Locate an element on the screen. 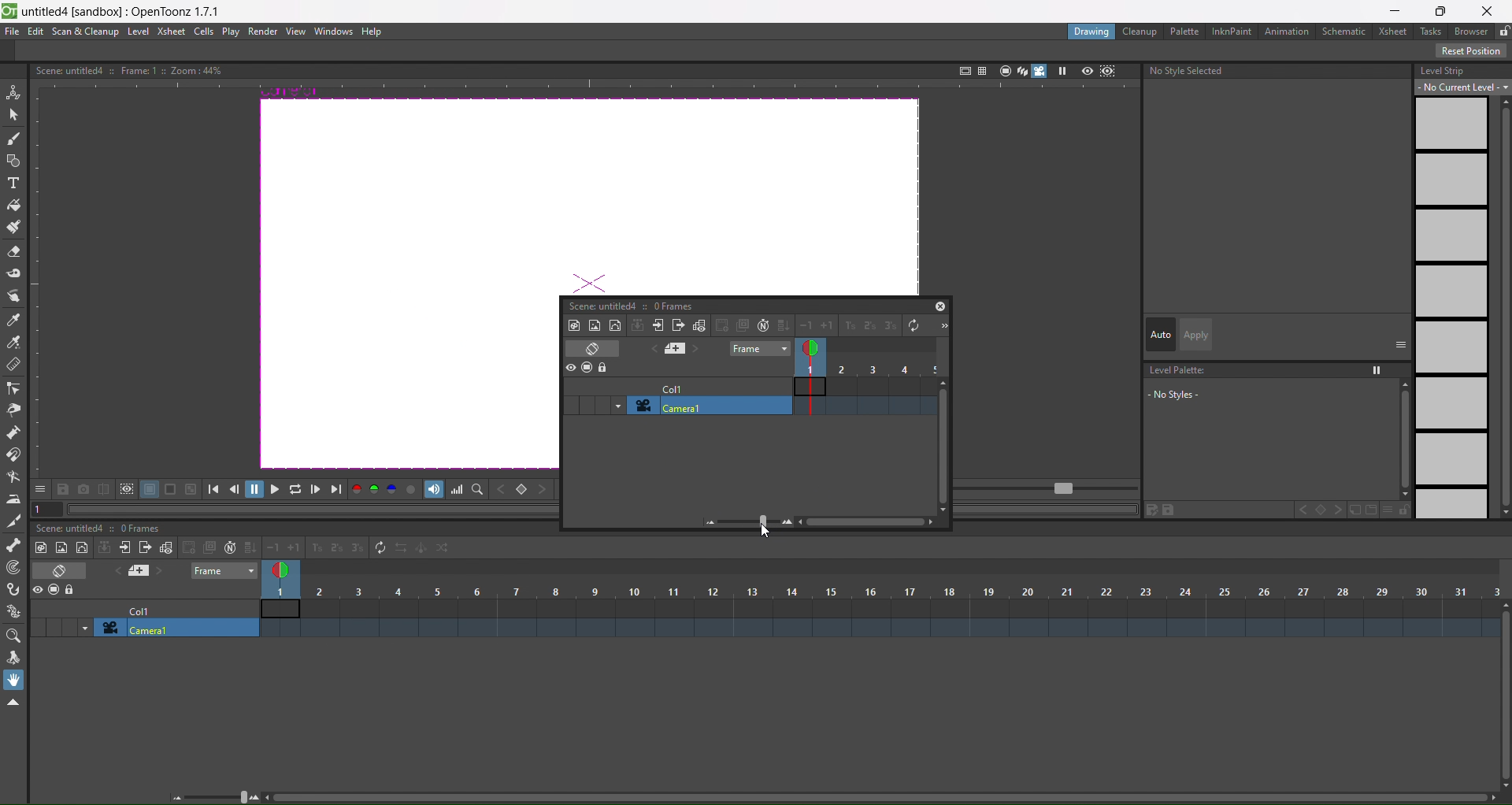 This screenshot has height=805, width=1512. new toonz raster level is located at coordinates (574, 325).